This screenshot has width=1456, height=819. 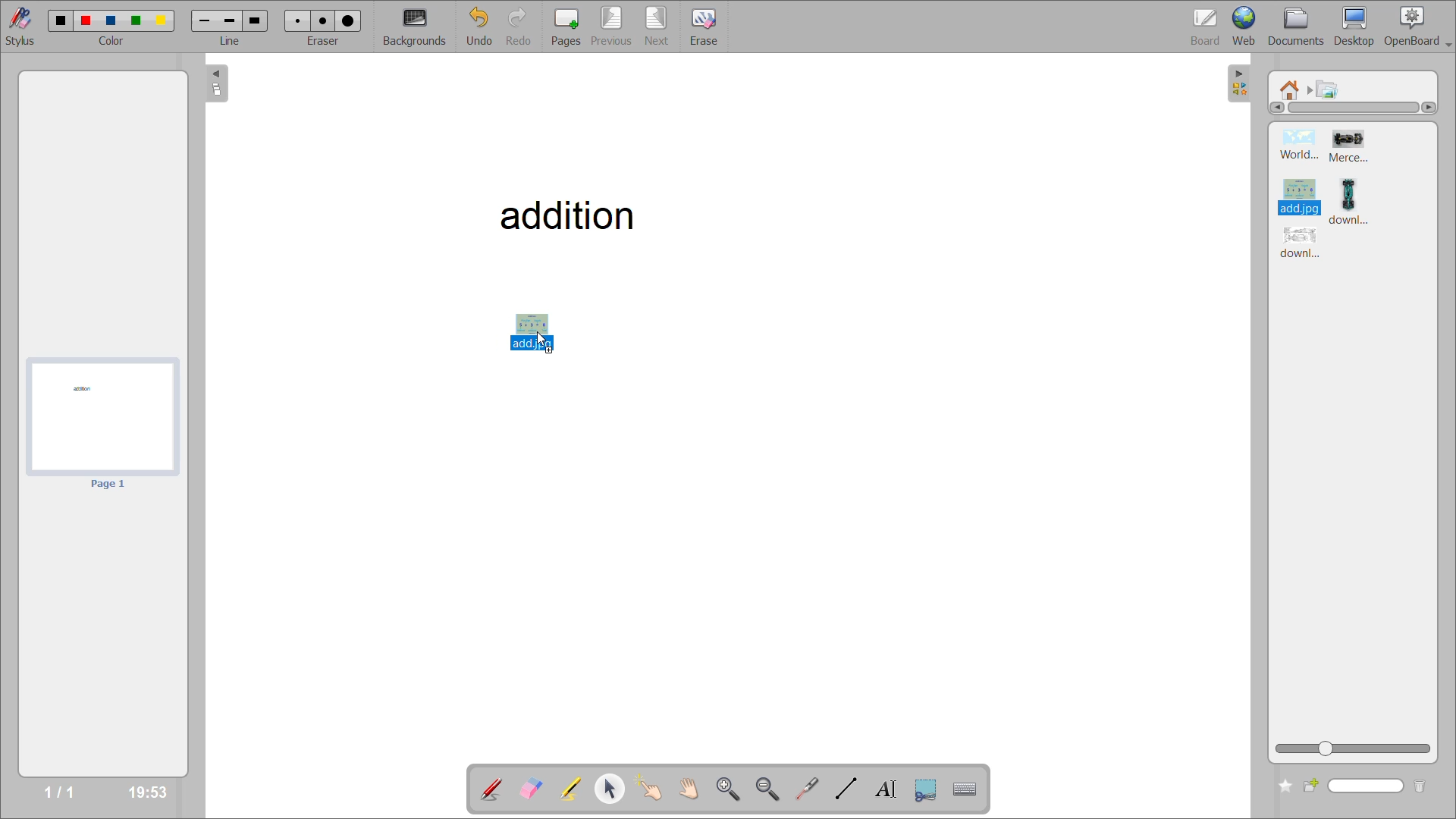 I want to click on color 5, so click(x=162, y=22).